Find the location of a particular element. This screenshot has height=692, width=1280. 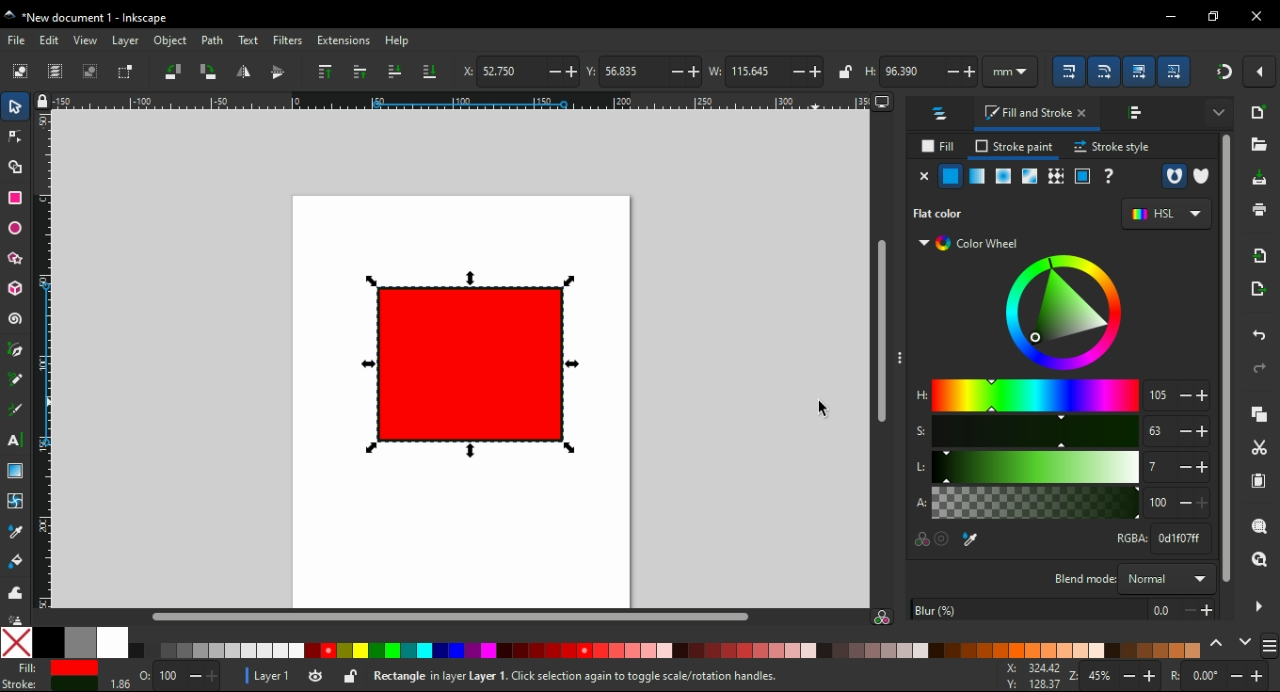

color scroll options is located at coordinates (1229, 643).